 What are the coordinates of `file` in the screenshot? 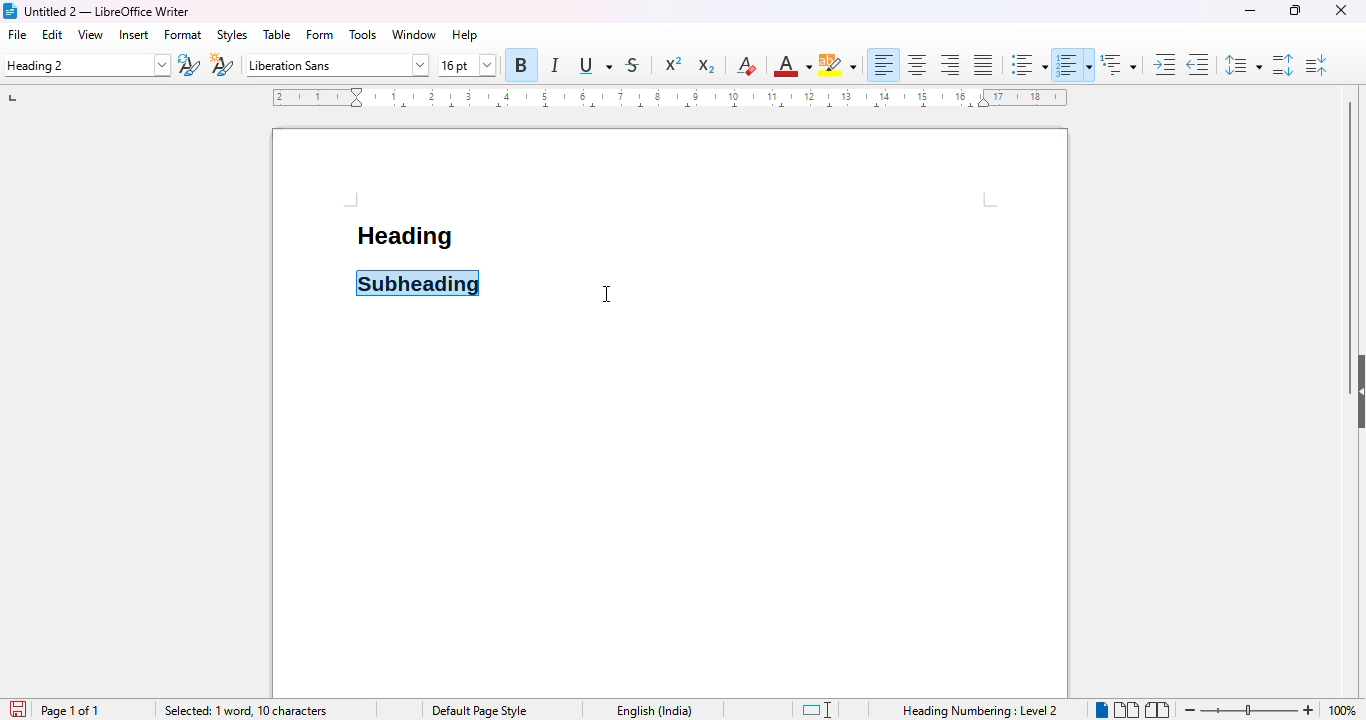 It's located at (17, 34).